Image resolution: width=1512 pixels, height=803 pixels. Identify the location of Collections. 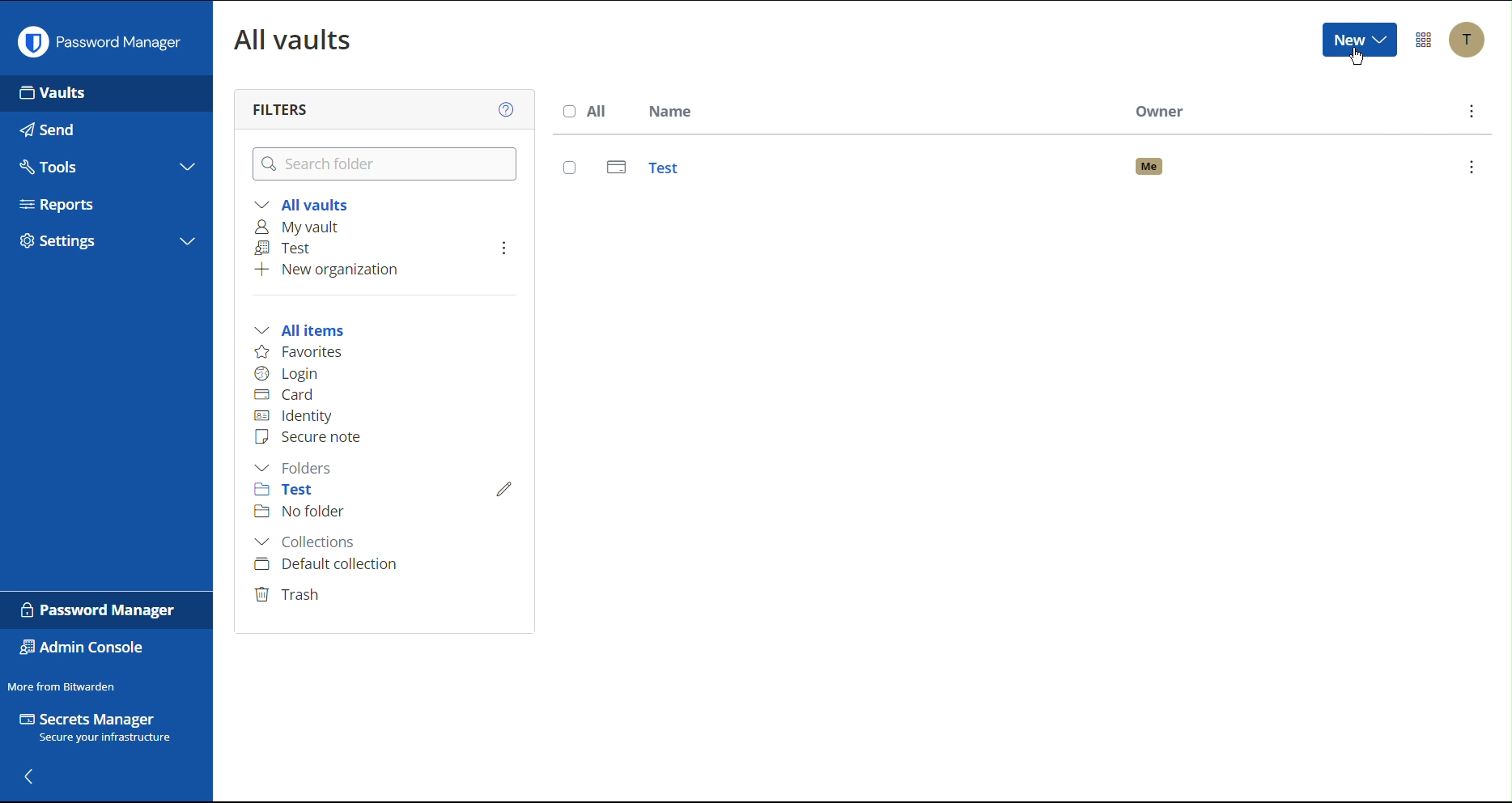
(312, 544).